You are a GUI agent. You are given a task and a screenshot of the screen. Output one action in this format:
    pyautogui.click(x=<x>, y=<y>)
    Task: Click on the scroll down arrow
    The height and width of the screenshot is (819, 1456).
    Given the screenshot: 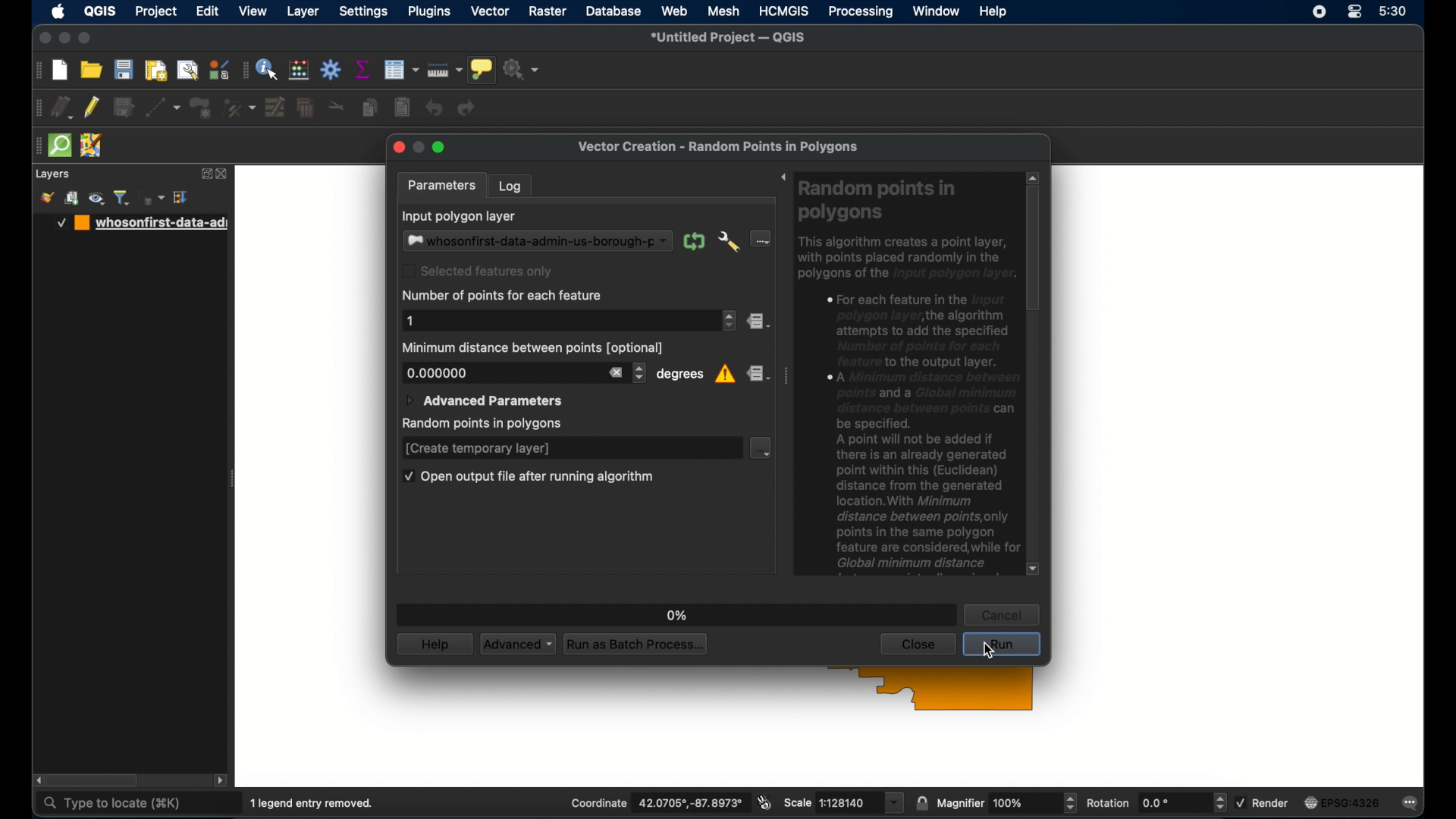 What is the action you would take?
    pyautogui.click(x=1033, y=568)
    